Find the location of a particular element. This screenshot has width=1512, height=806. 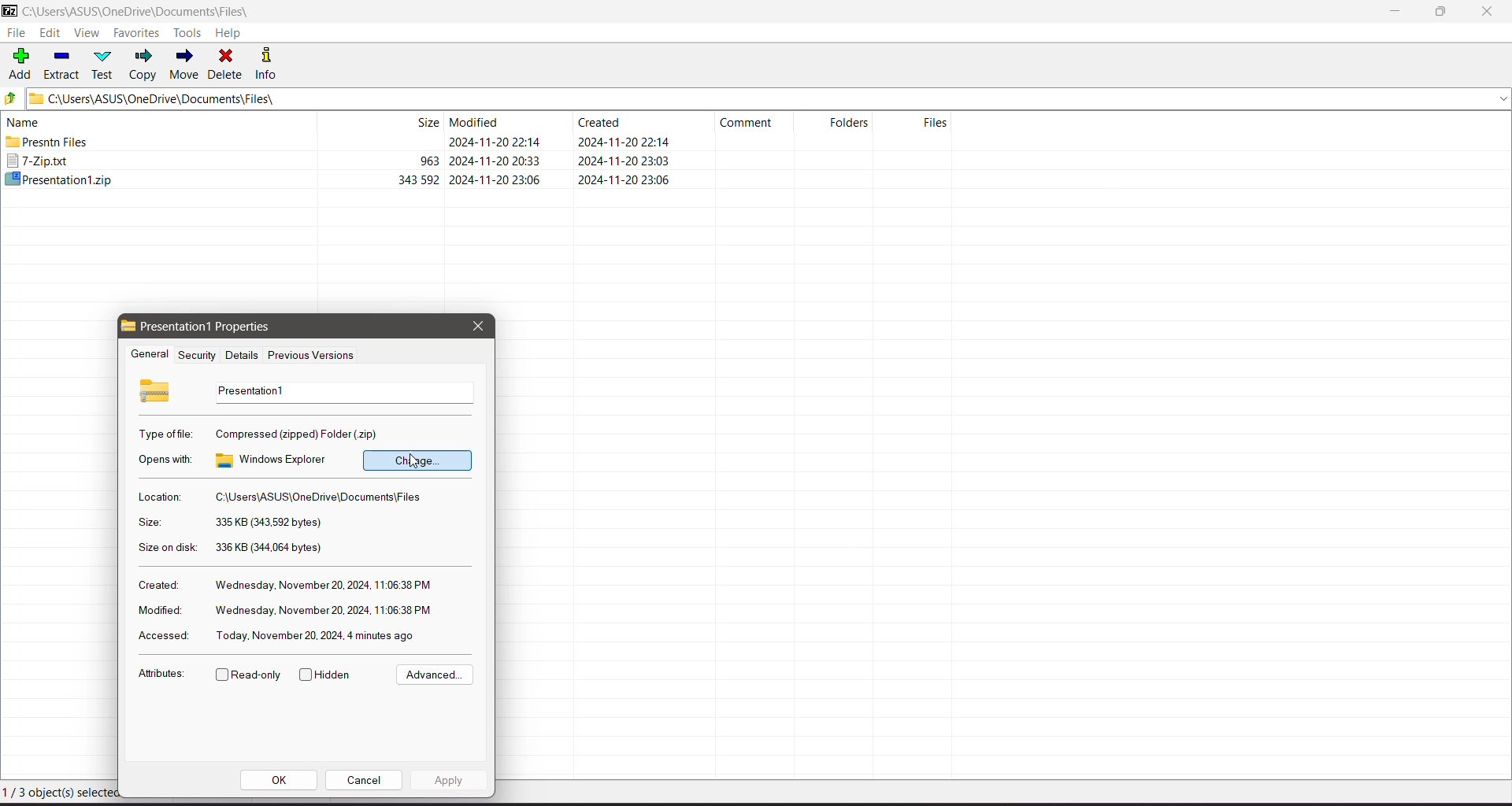

Opens with is located at coordinates (167, 460).